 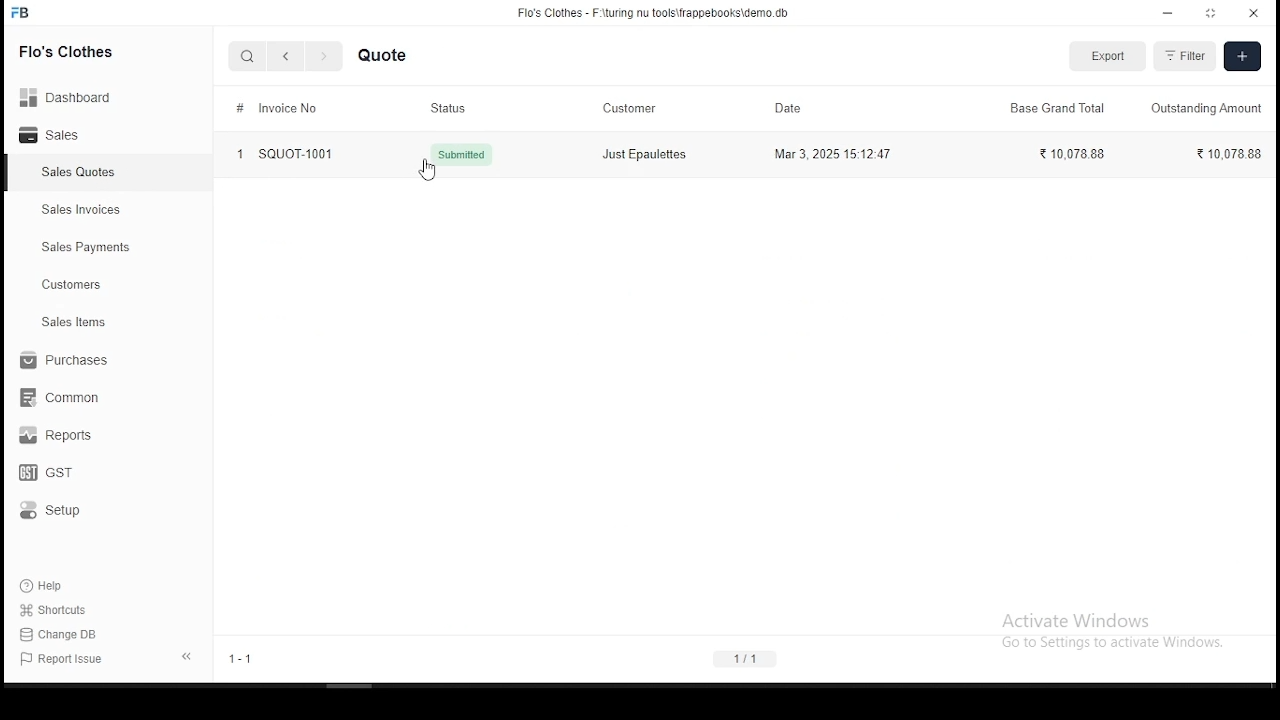 I want to click on back, so click(x=283, y=55).